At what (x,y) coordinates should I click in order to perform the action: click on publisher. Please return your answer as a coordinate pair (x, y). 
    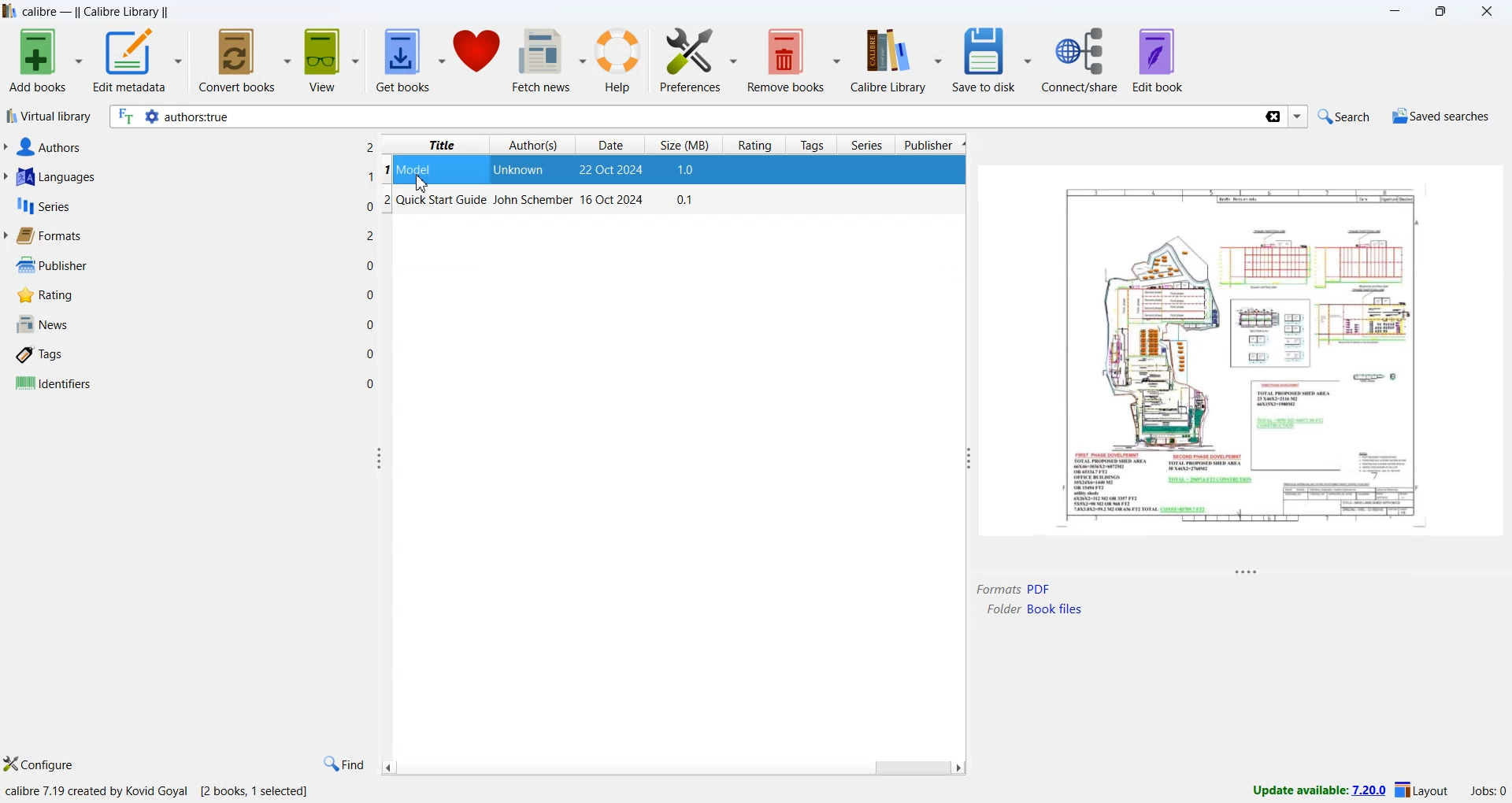
    Looking at the image, I should click on (932, 146).